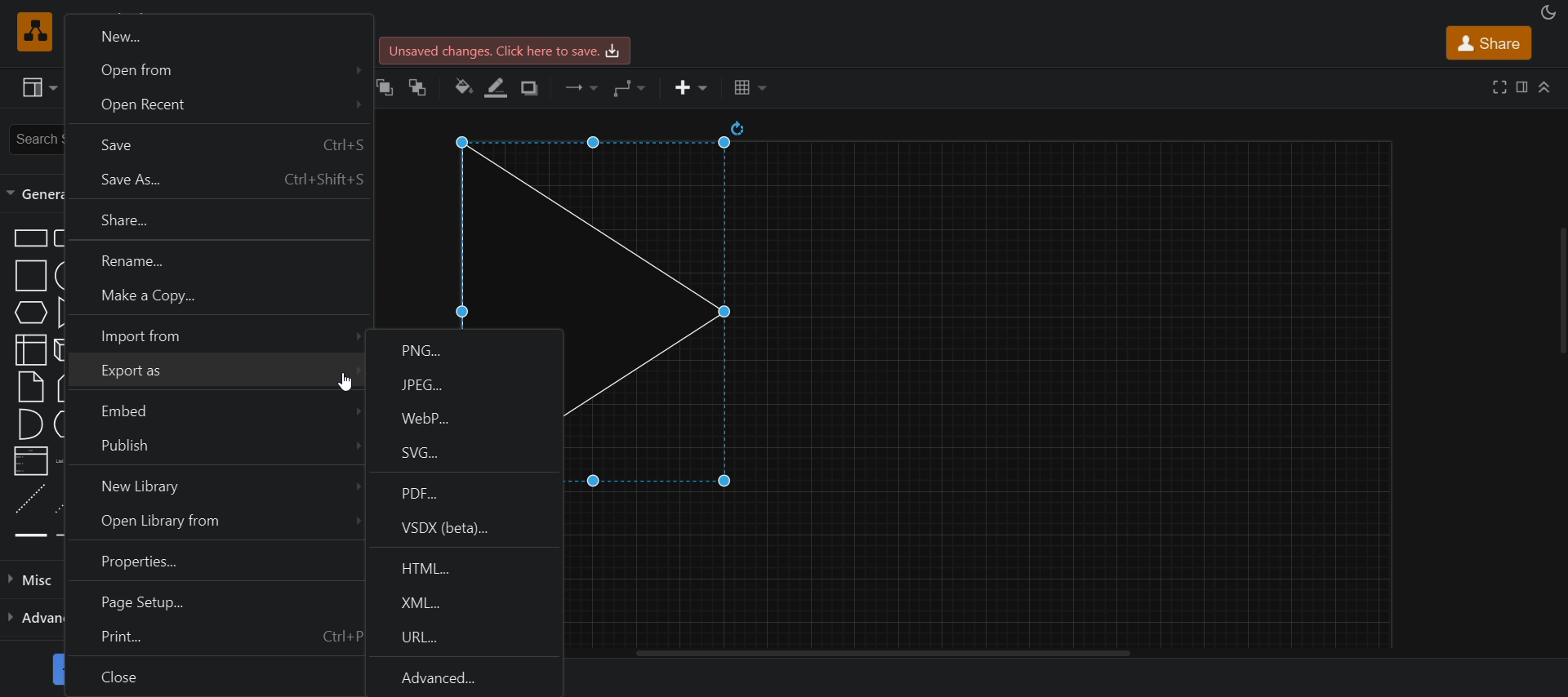  Describe the element at coordinates (211, 563) in the screenshot. I see `properties` at that location.